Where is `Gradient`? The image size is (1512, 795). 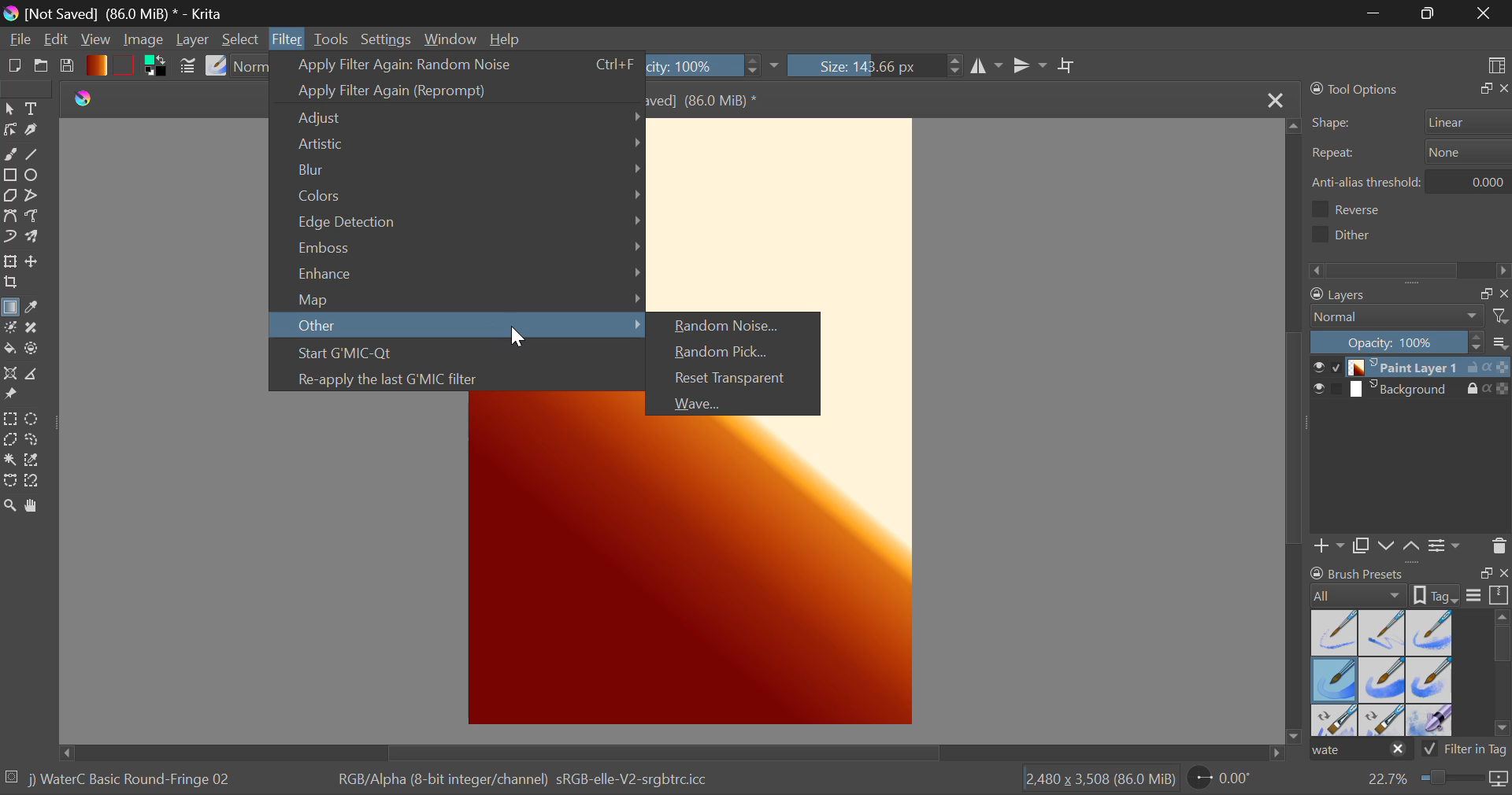
Gradient is located at coordinates (96, 65).